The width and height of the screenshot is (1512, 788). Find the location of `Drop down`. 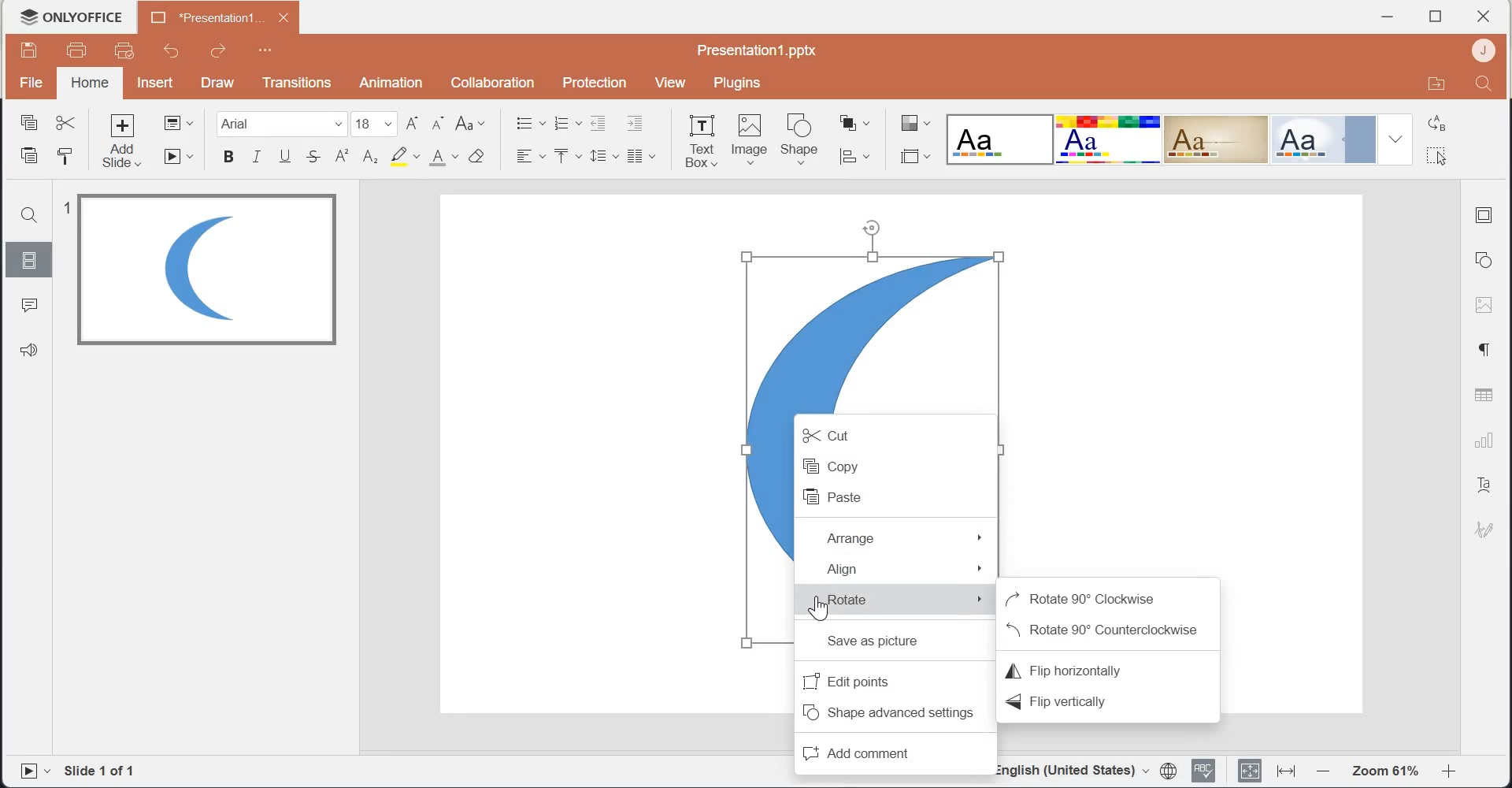

Drop down is located at coordinates (1394, 139).